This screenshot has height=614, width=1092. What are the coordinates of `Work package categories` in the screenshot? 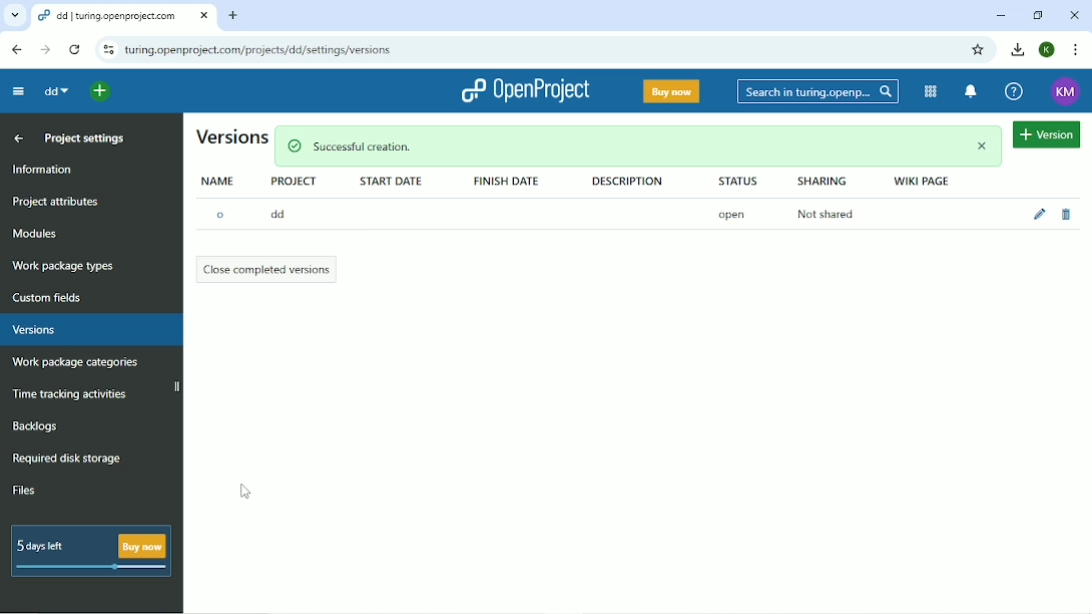 It's located at (74, 363).